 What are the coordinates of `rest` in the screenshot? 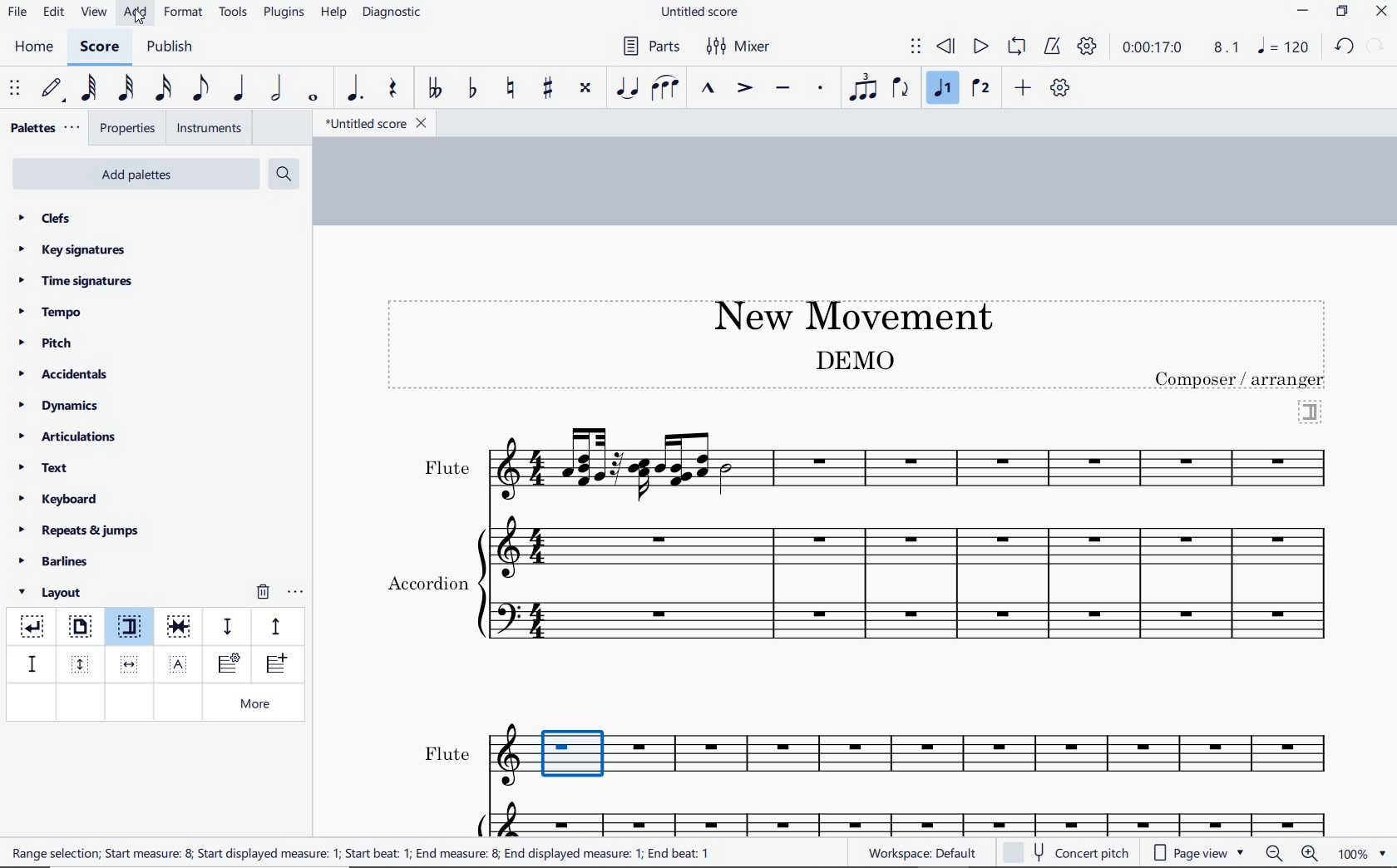 It's located at (393, 90).